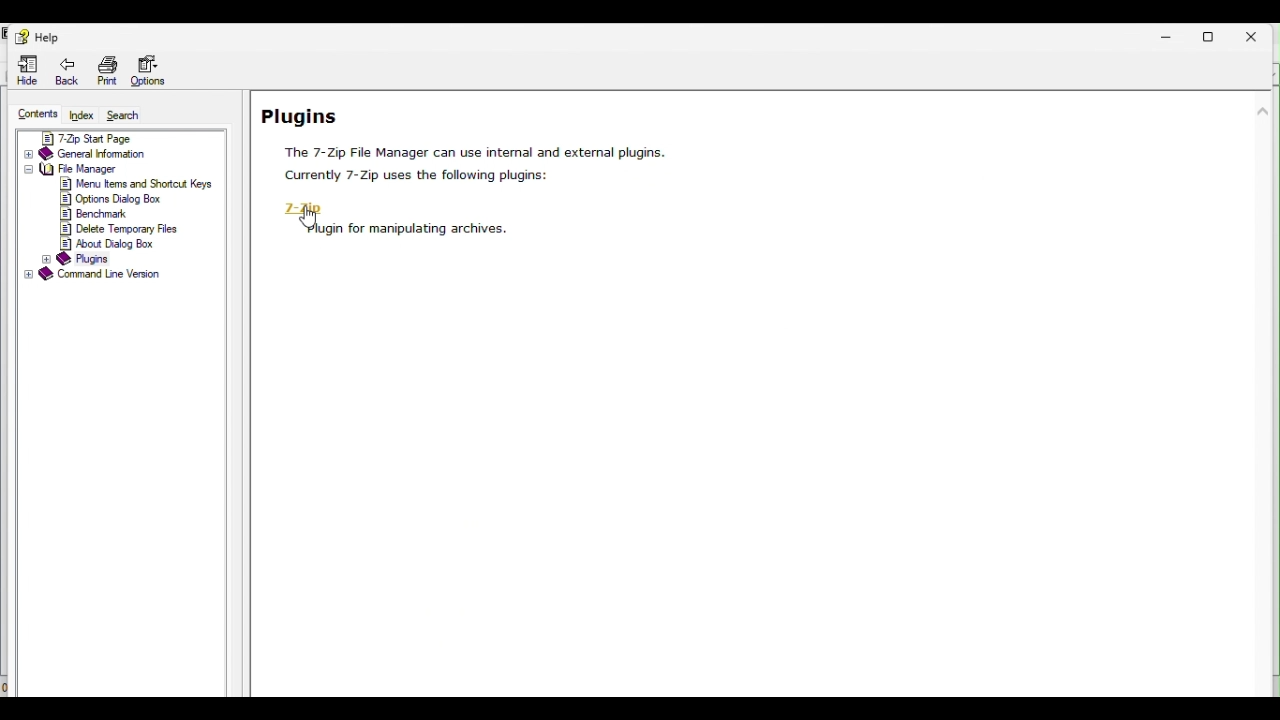 Image resolution: width=1280 pixels, height=720 pixels. I want to click on 7 zip start page, so click(119, 138).